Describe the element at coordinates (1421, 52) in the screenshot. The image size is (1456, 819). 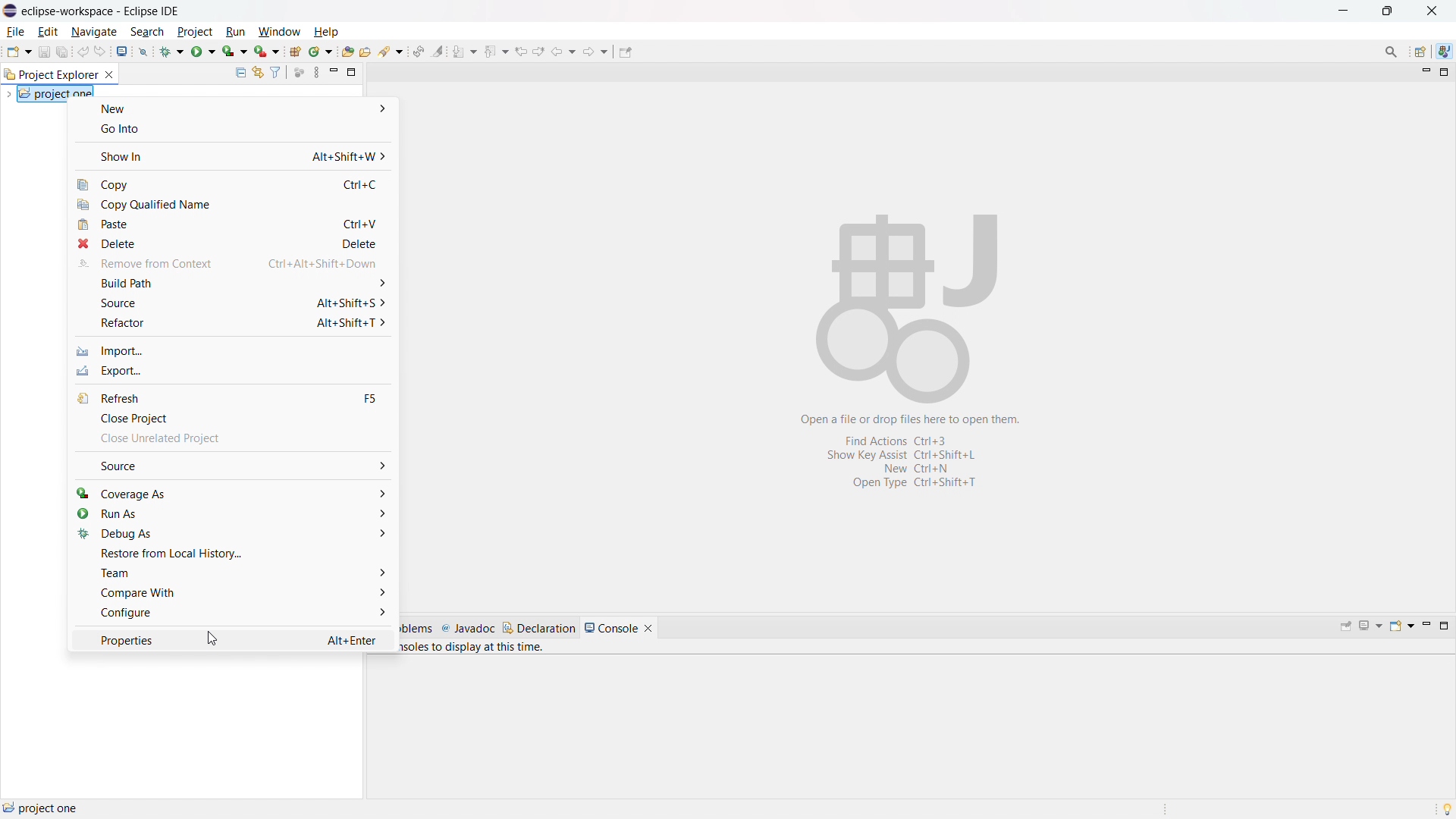
I see `open perspective` at that location.